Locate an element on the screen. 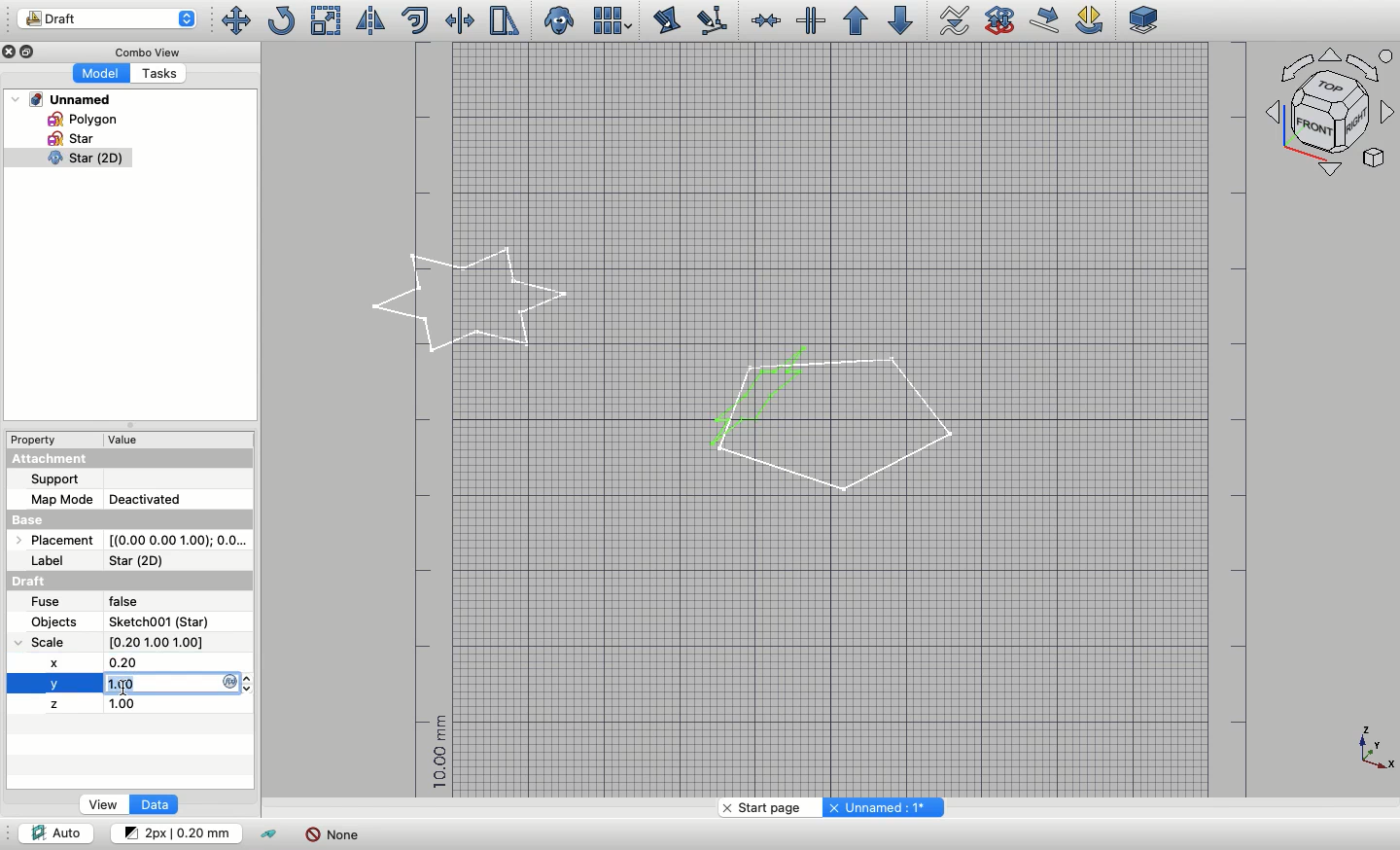  Star is located at coordinates (73, 138).